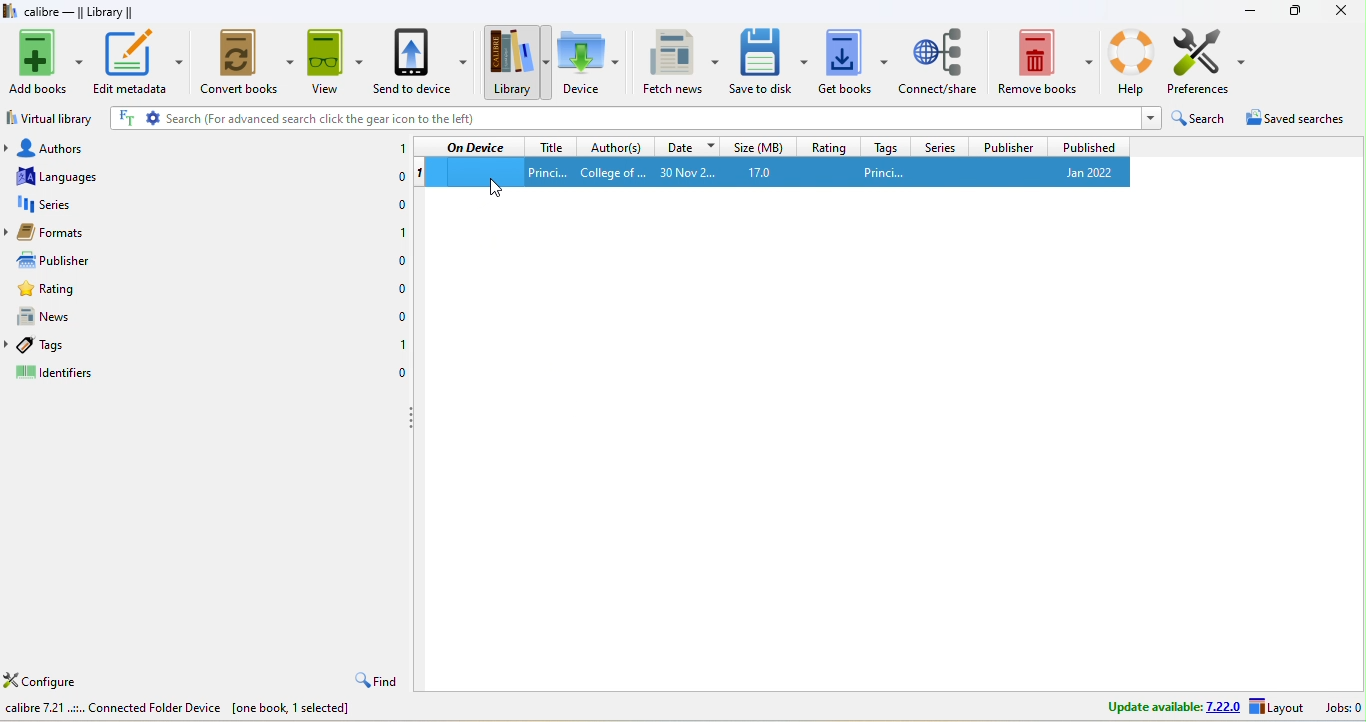  Describe the element at coordinates (399, 317) in the screenshot. I see `0` at that location.